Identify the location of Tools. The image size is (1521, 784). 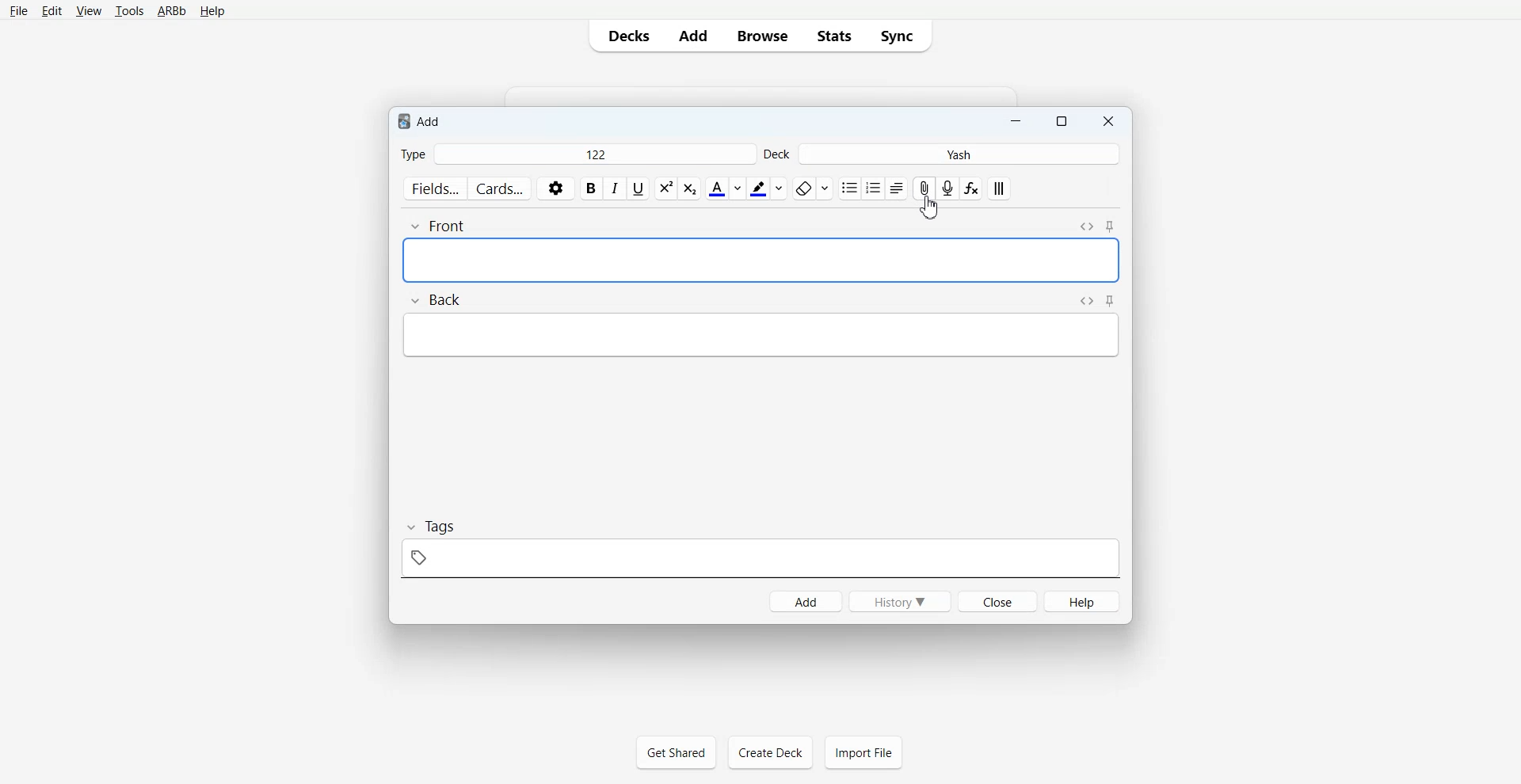
(127, 10).